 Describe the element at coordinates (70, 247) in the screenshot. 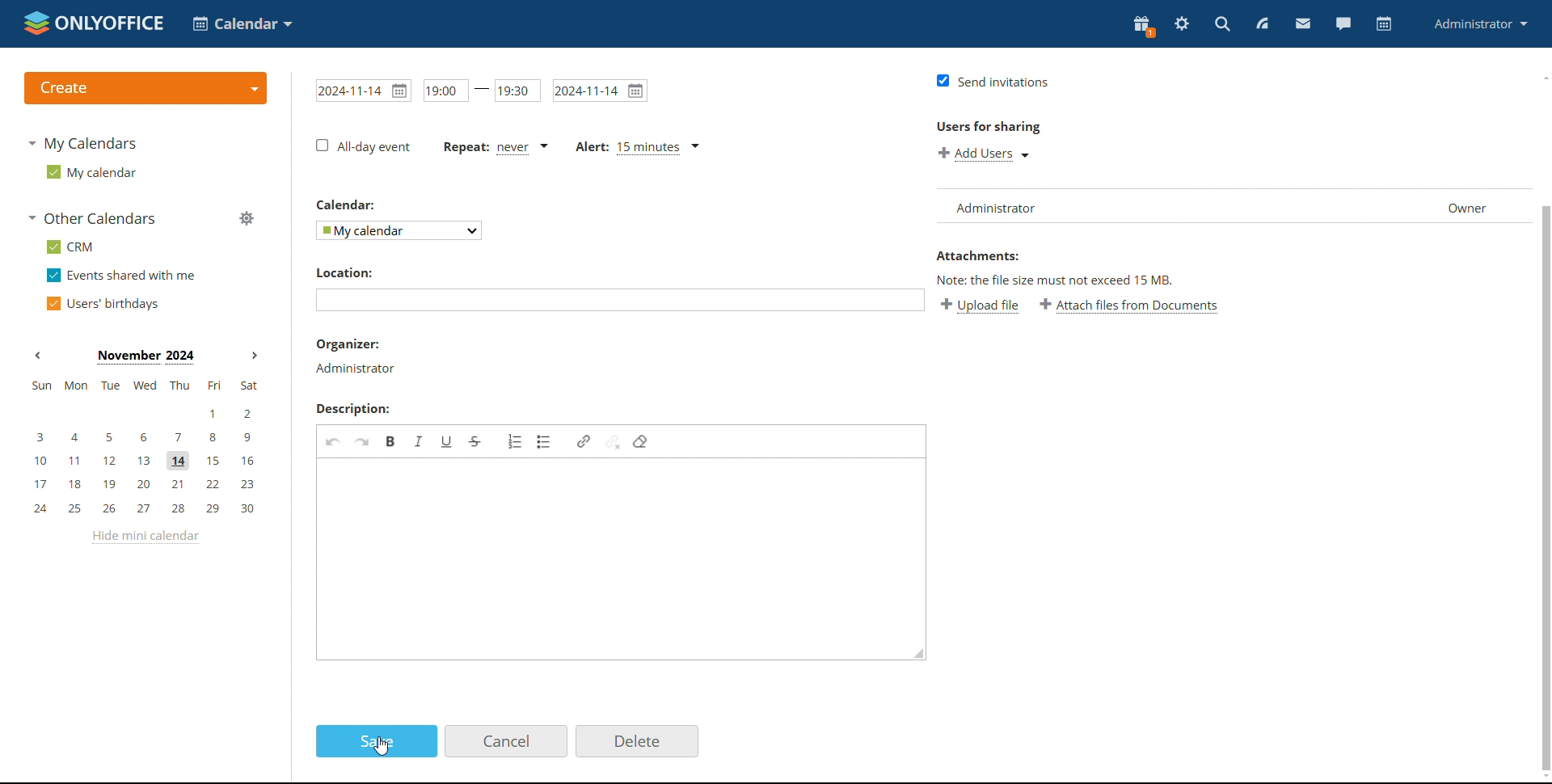

I see `crm` at that location.